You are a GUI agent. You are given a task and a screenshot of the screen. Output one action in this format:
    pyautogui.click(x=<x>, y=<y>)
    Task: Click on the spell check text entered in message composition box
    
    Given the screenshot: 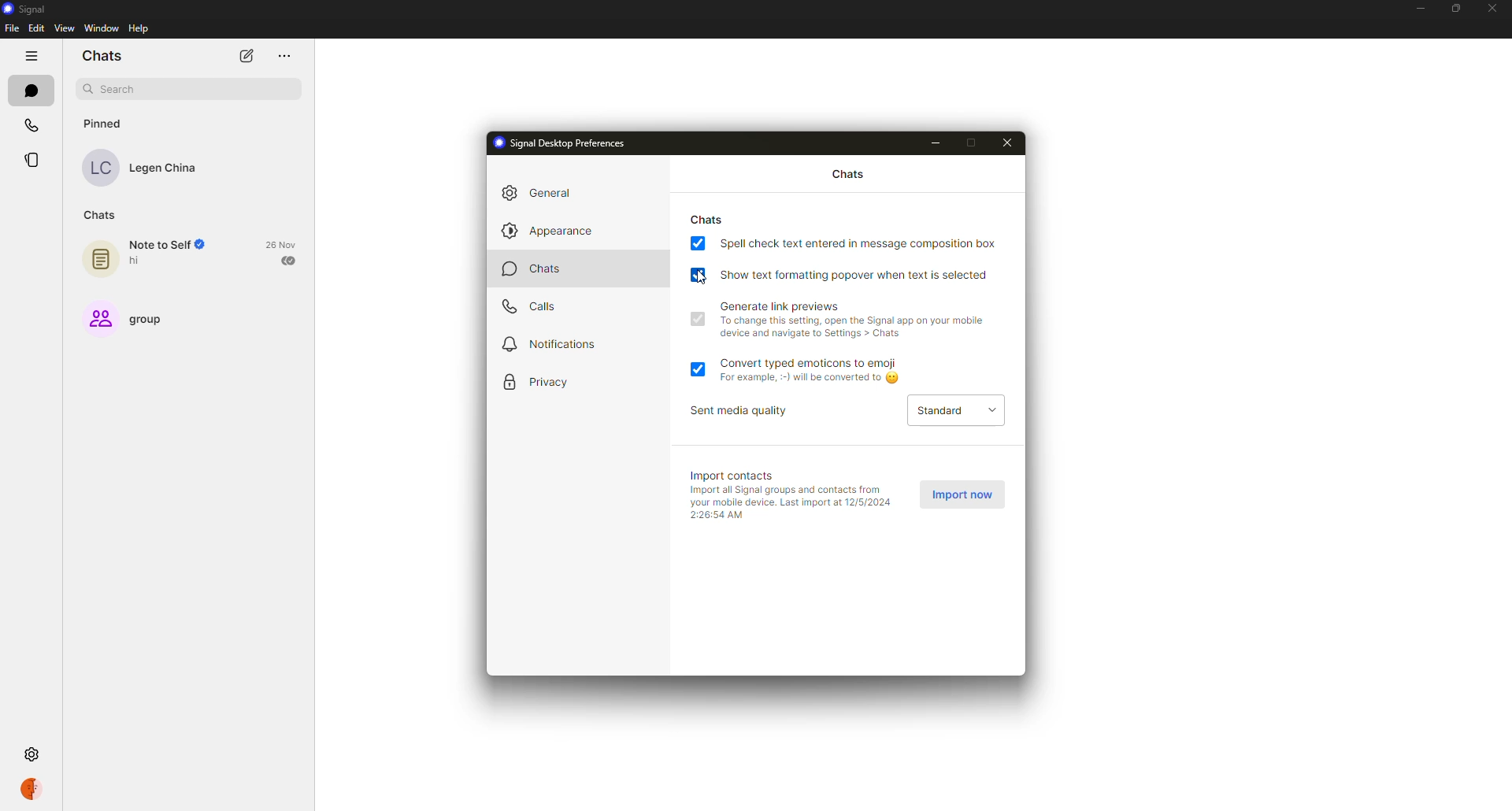 What is the action you would take?
    pyautogui.click(x=860, y=243)
    